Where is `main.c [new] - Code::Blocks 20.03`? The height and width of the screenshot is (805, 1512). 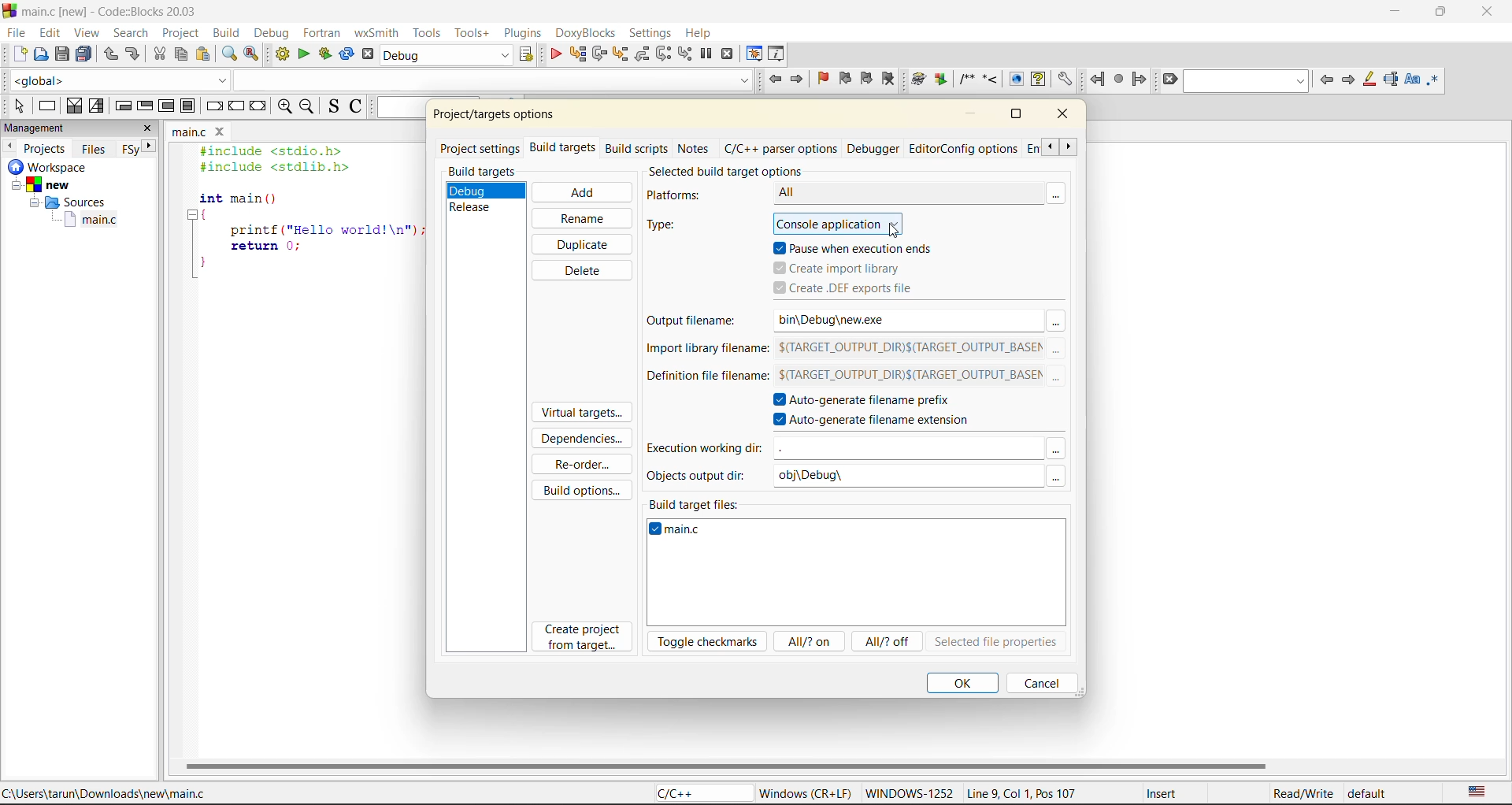
main.c [new] - Code::Blocks 20.03 is located at coordinates (113, 10).